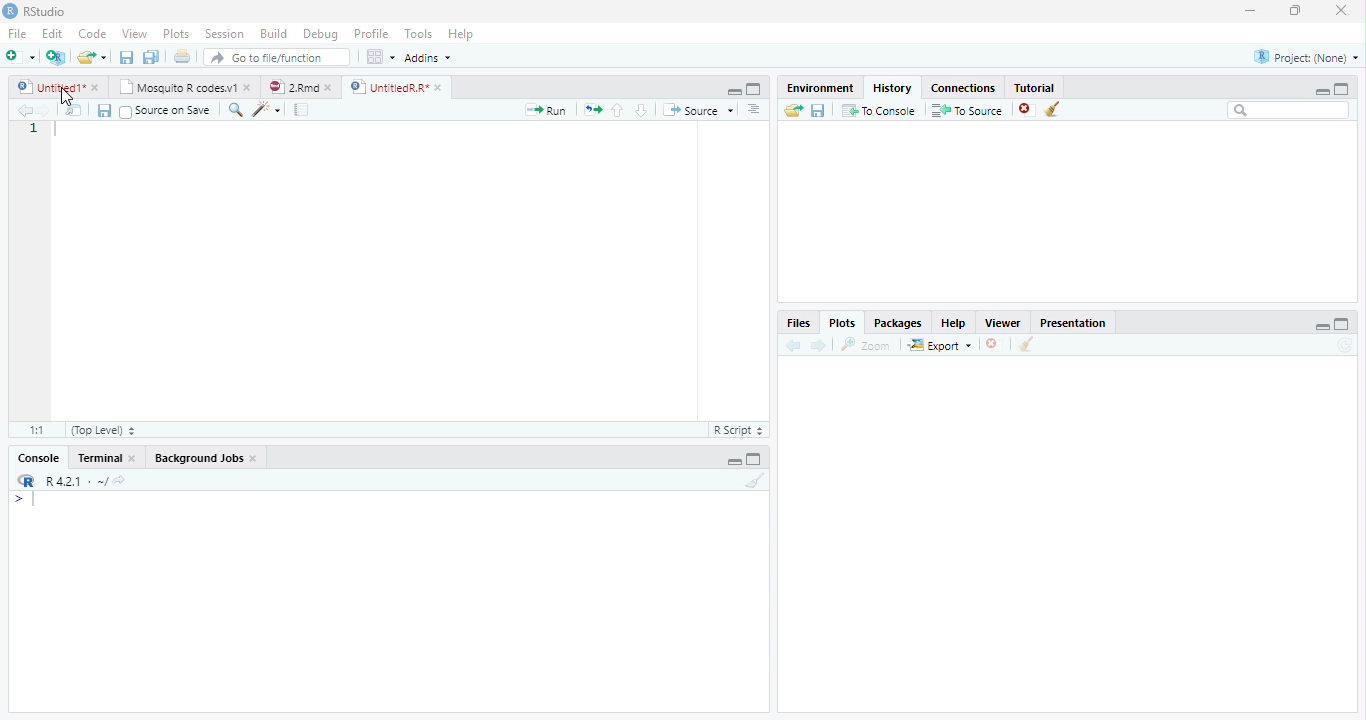 The image size is (1366, 720). What do you see at coordinates (271, 35) in the screenshot?
I see `Build` at bounding box center [271, 35].